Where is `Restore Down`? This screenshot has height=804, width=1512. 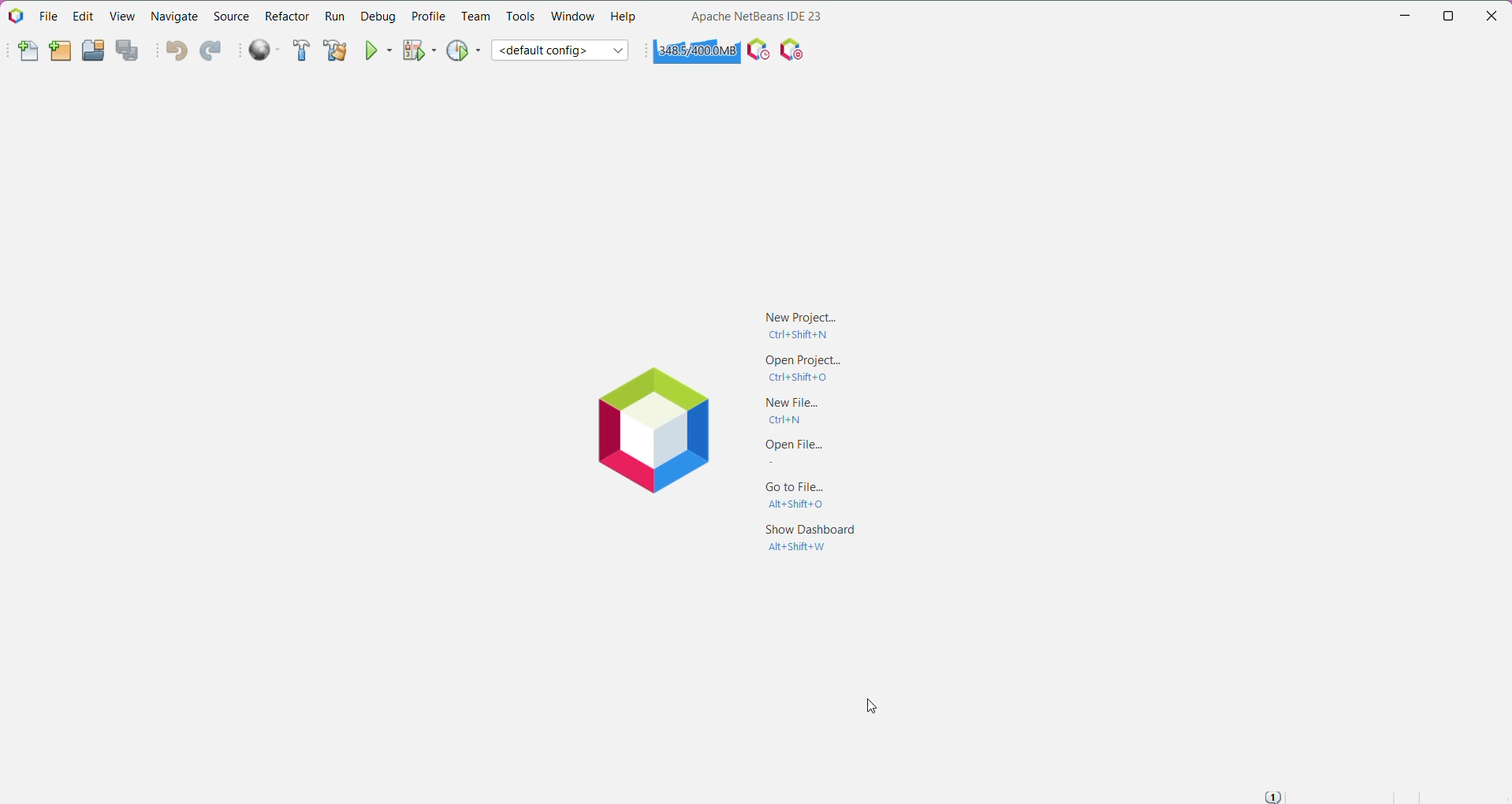 Restore Down is located at coordinates (1451, 16).